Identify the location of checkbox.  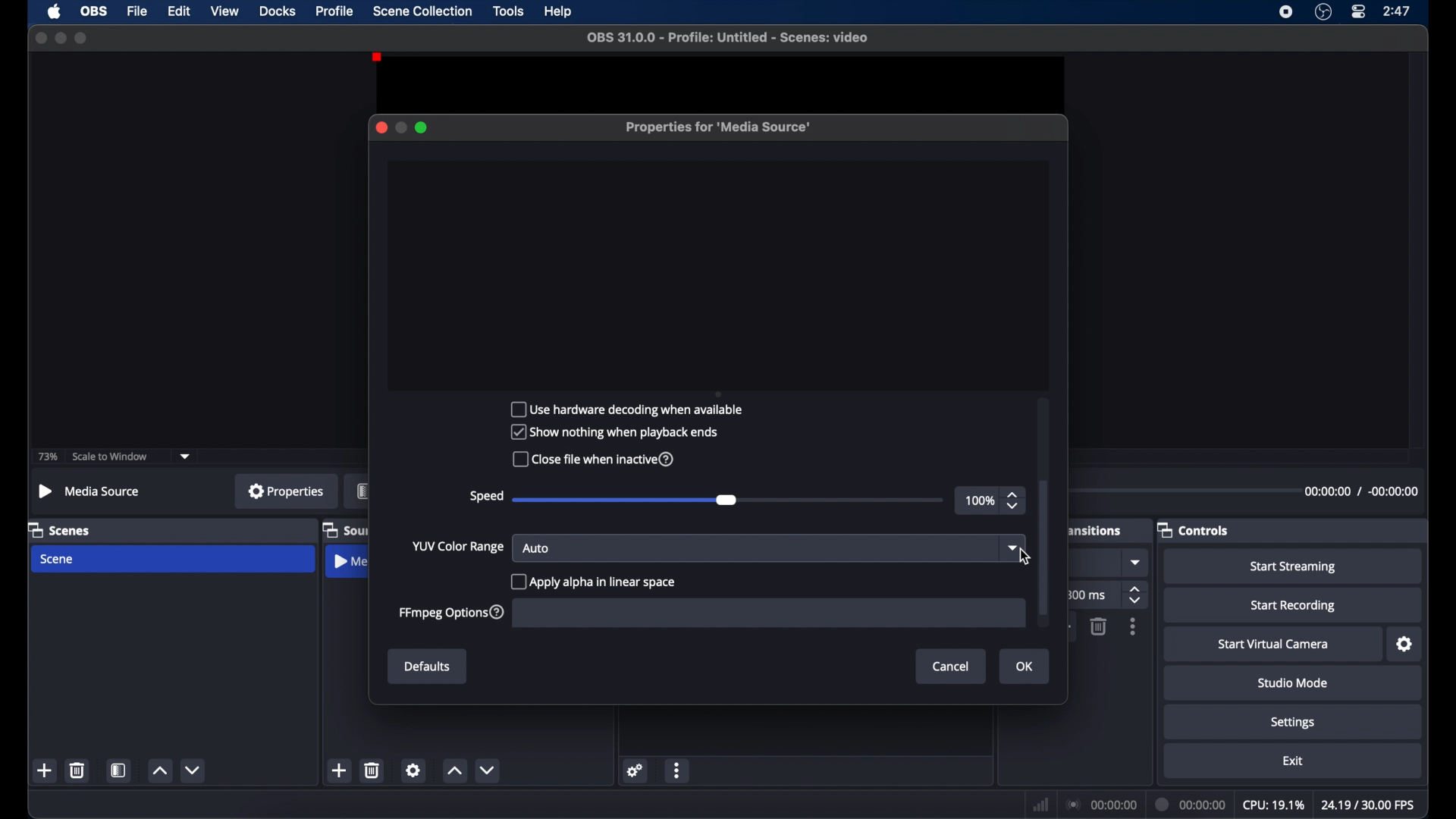
(592, 582).